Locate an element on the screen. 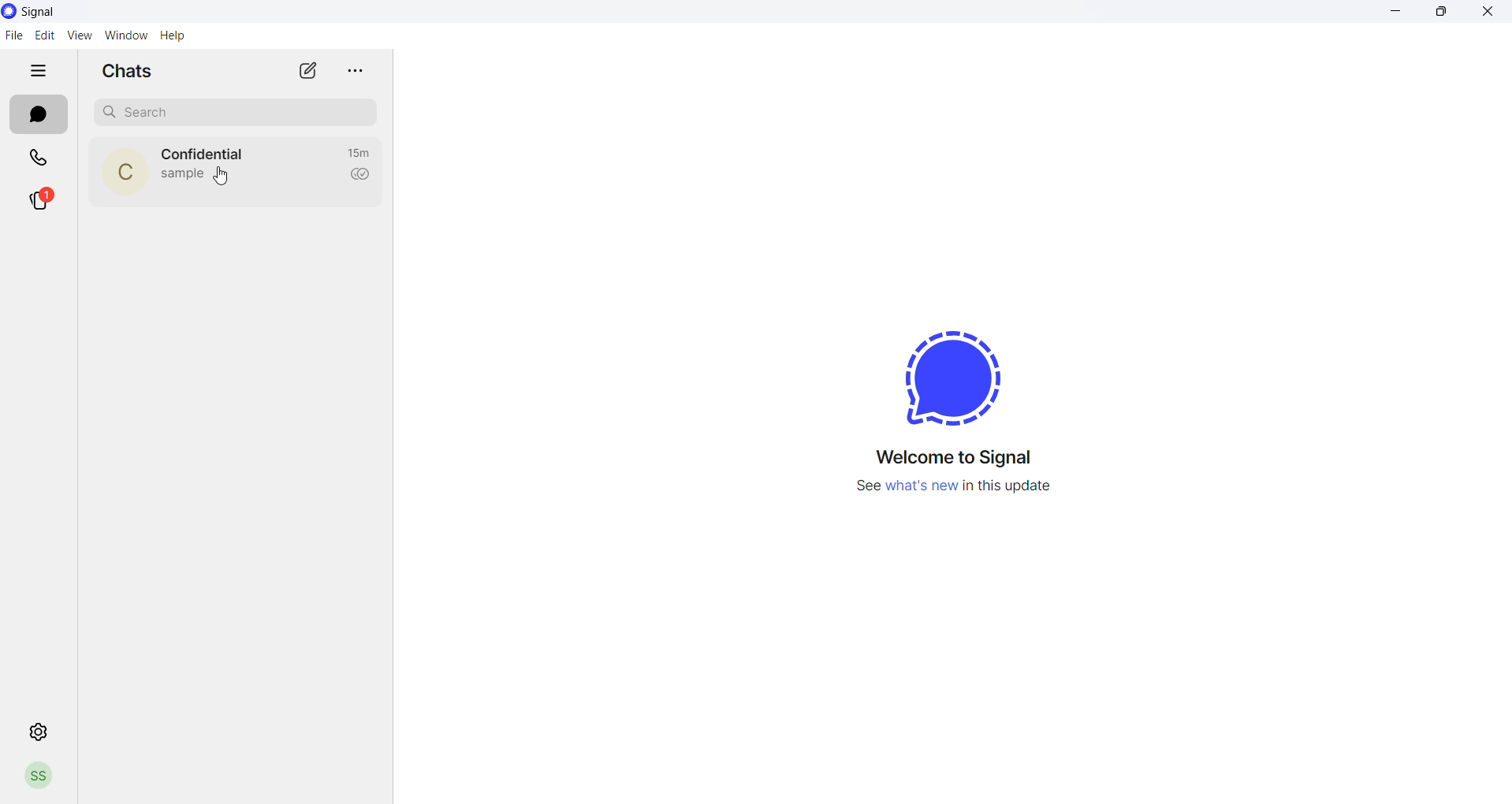 The width and height of the screenshot is (1512, 804). 15m is located at coordinates (359, 152).